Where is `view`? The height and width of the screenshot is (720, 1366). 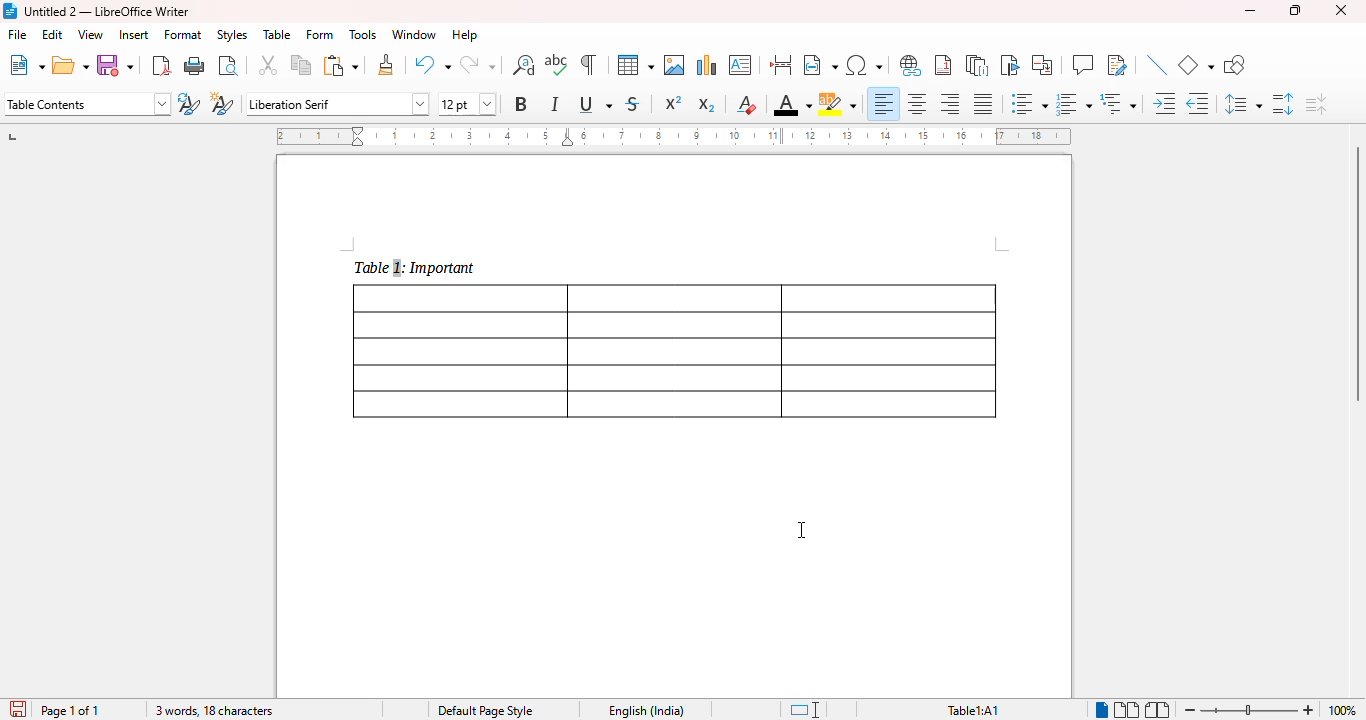
view is located at coordinates (91, 34).